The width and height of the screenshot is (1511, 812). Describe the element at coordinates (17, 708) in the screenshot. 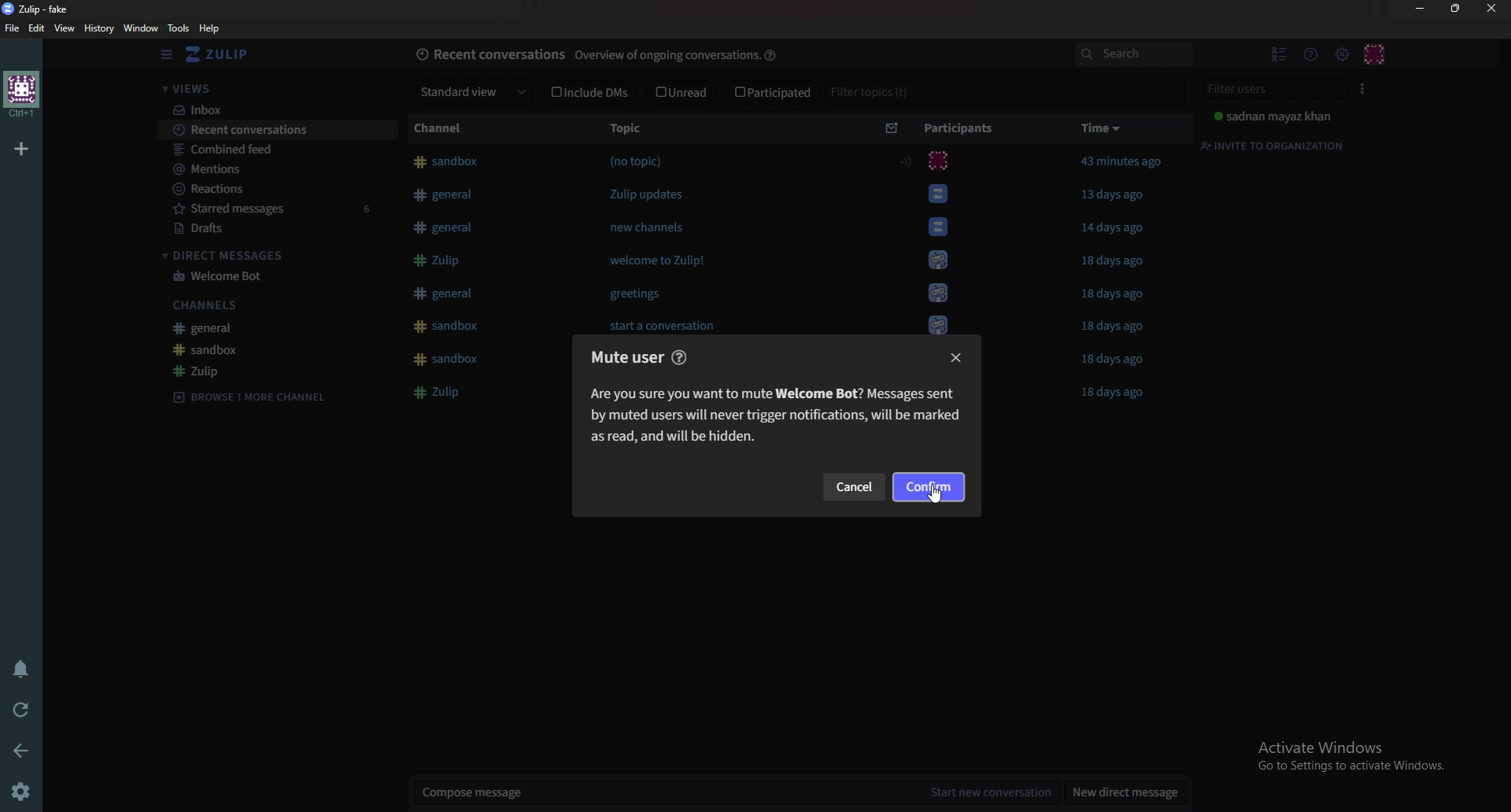

I see `Reload` at that location.